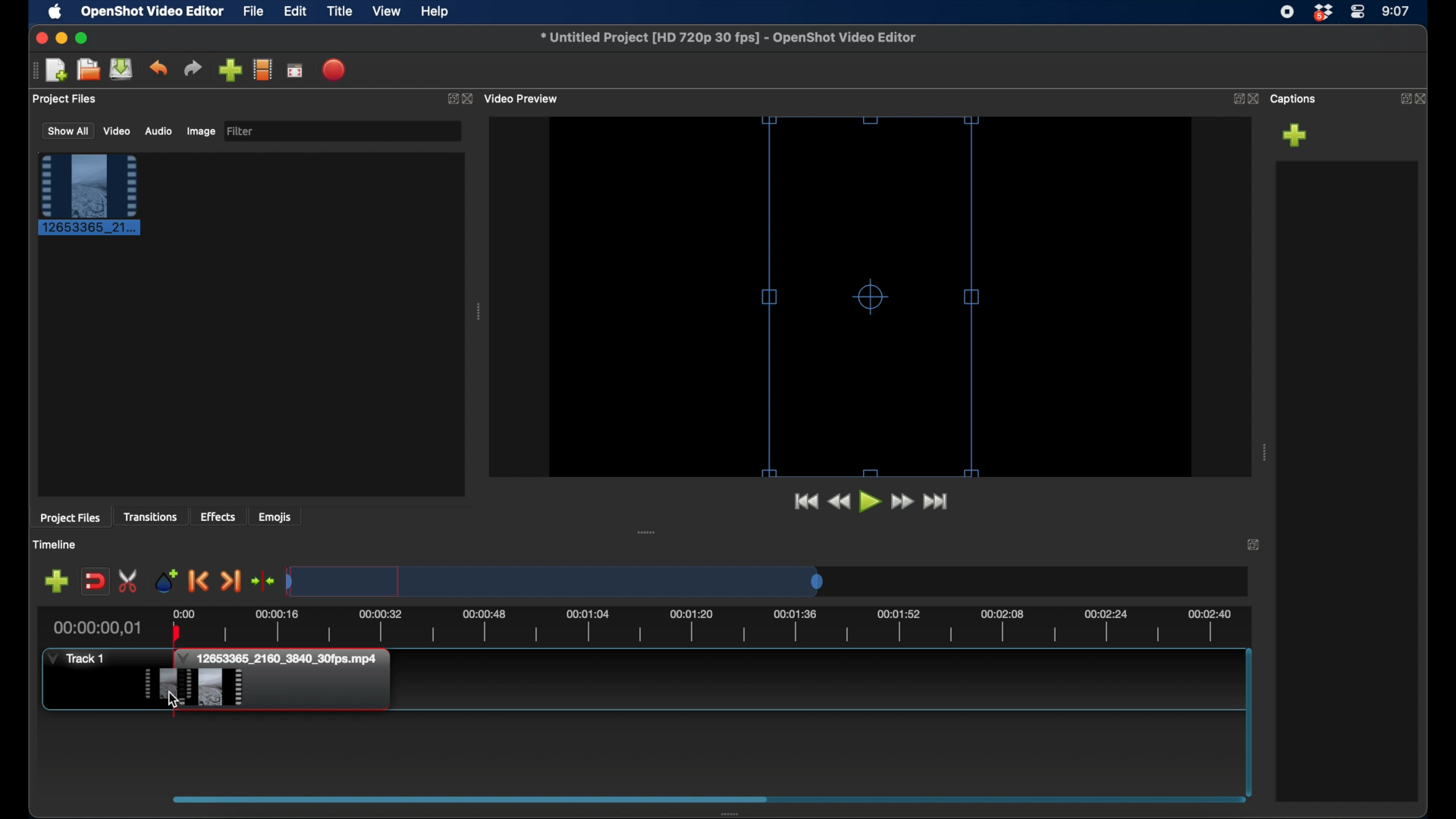 The width and height of the screenshot is (1456, 819). I want to click on drag handle, so click(1263, 452).